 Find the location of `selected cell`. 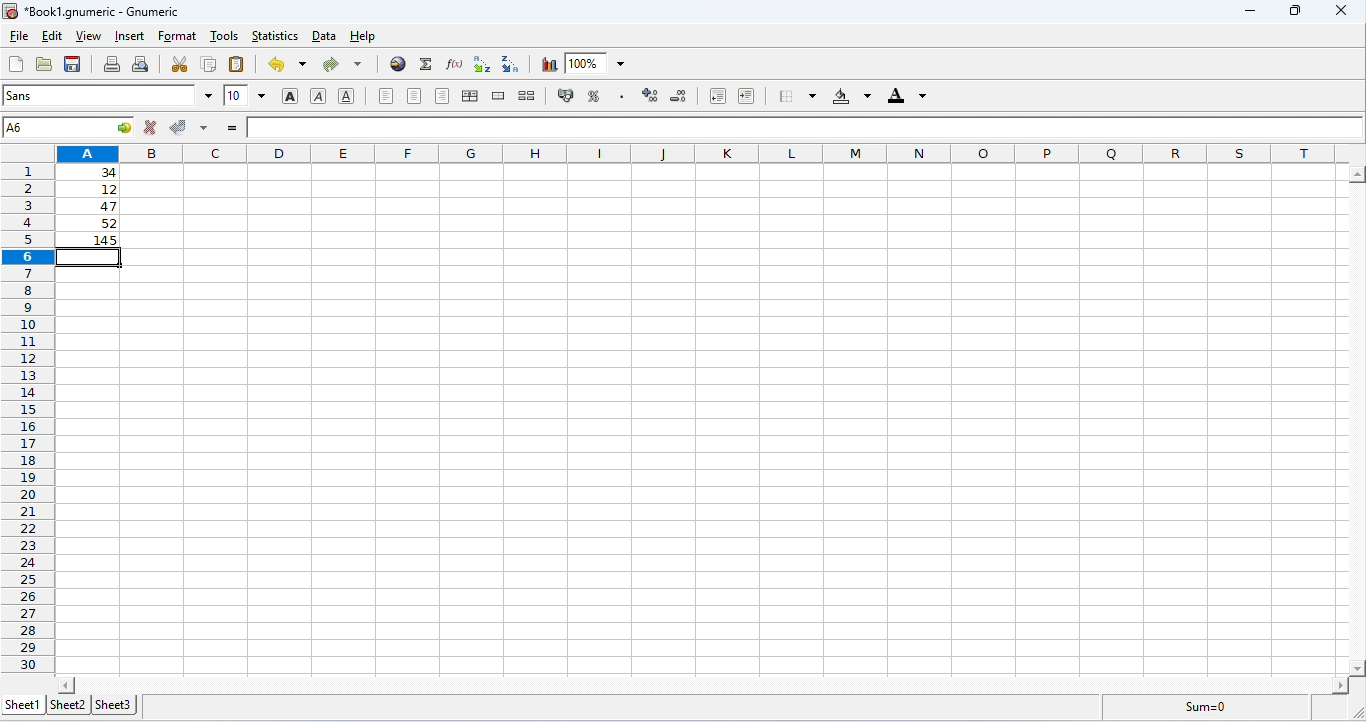

selected cell is located at coordinates (91, 258).